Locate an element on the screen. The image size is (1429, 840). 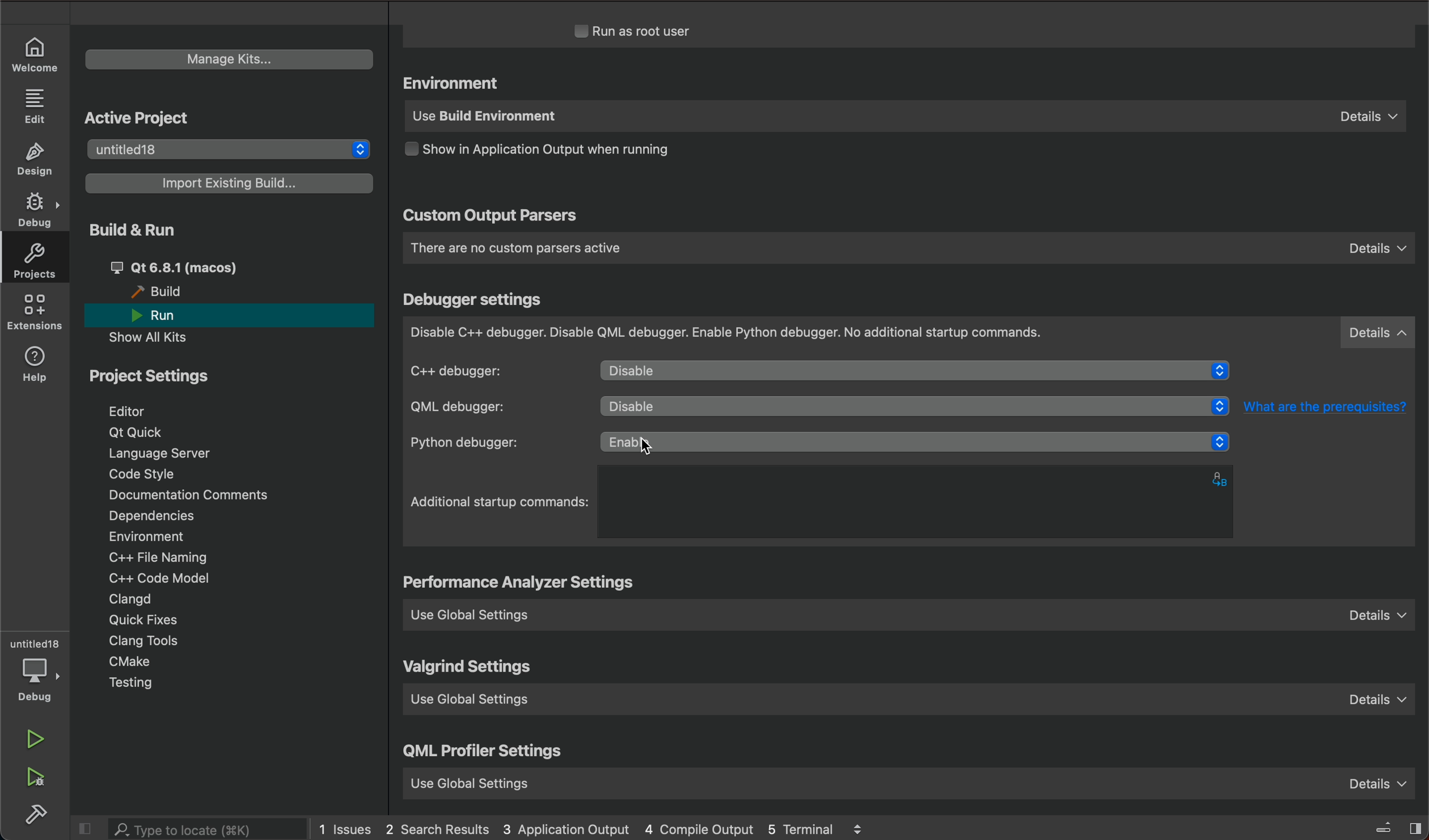
search is located at coordinates (208, 830).